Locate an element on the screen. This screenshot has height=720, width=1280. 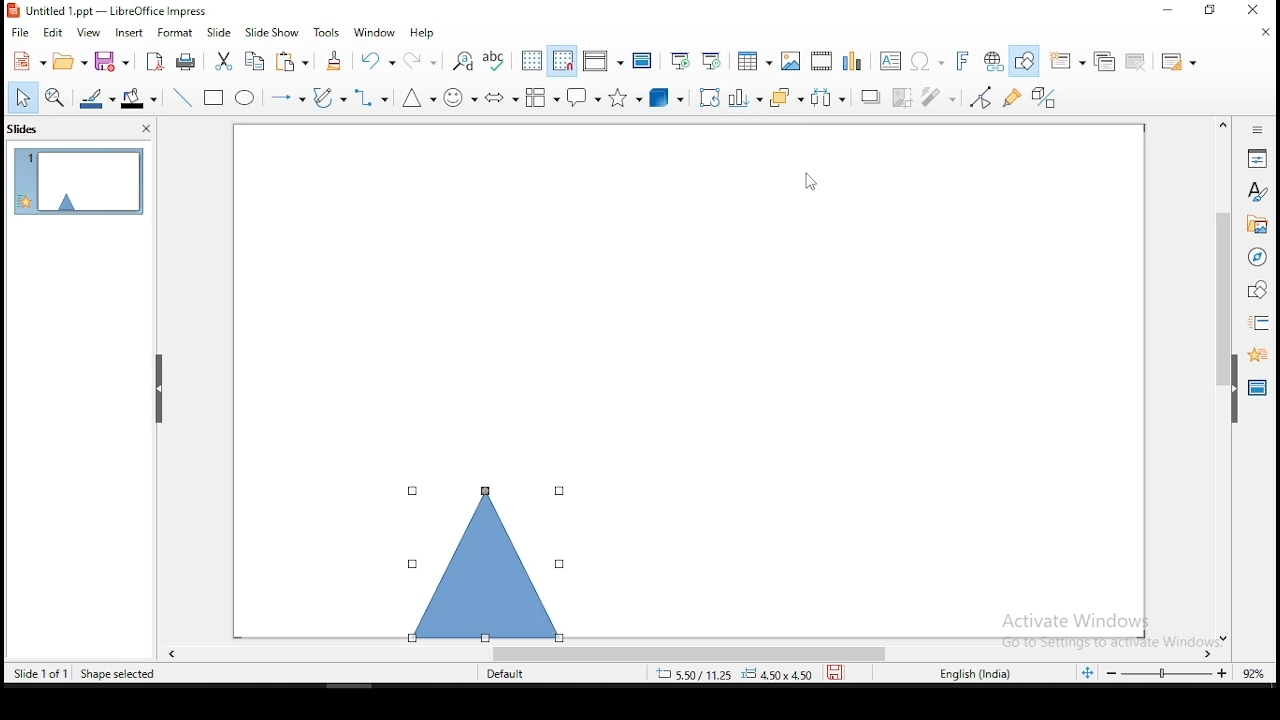
close document is located at coordinates (1267, 32).